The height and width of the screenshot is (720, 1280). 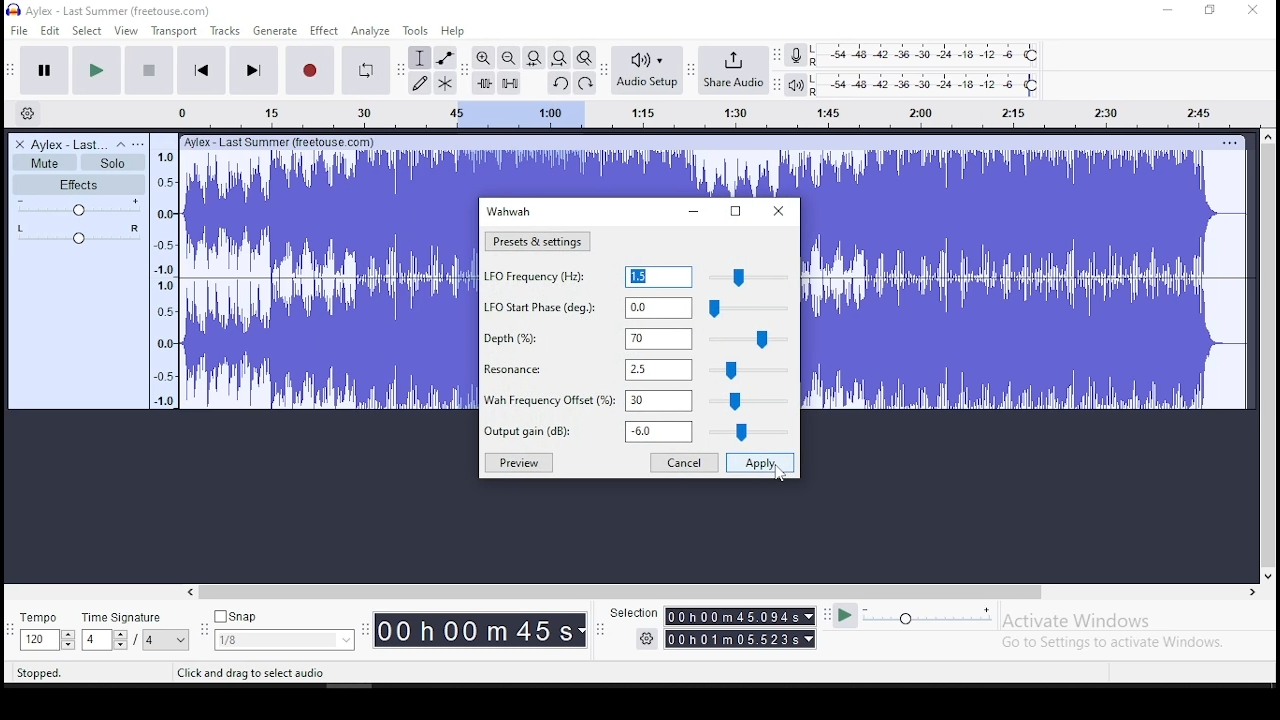 I want to click on wah, so click(x=509, y=211).